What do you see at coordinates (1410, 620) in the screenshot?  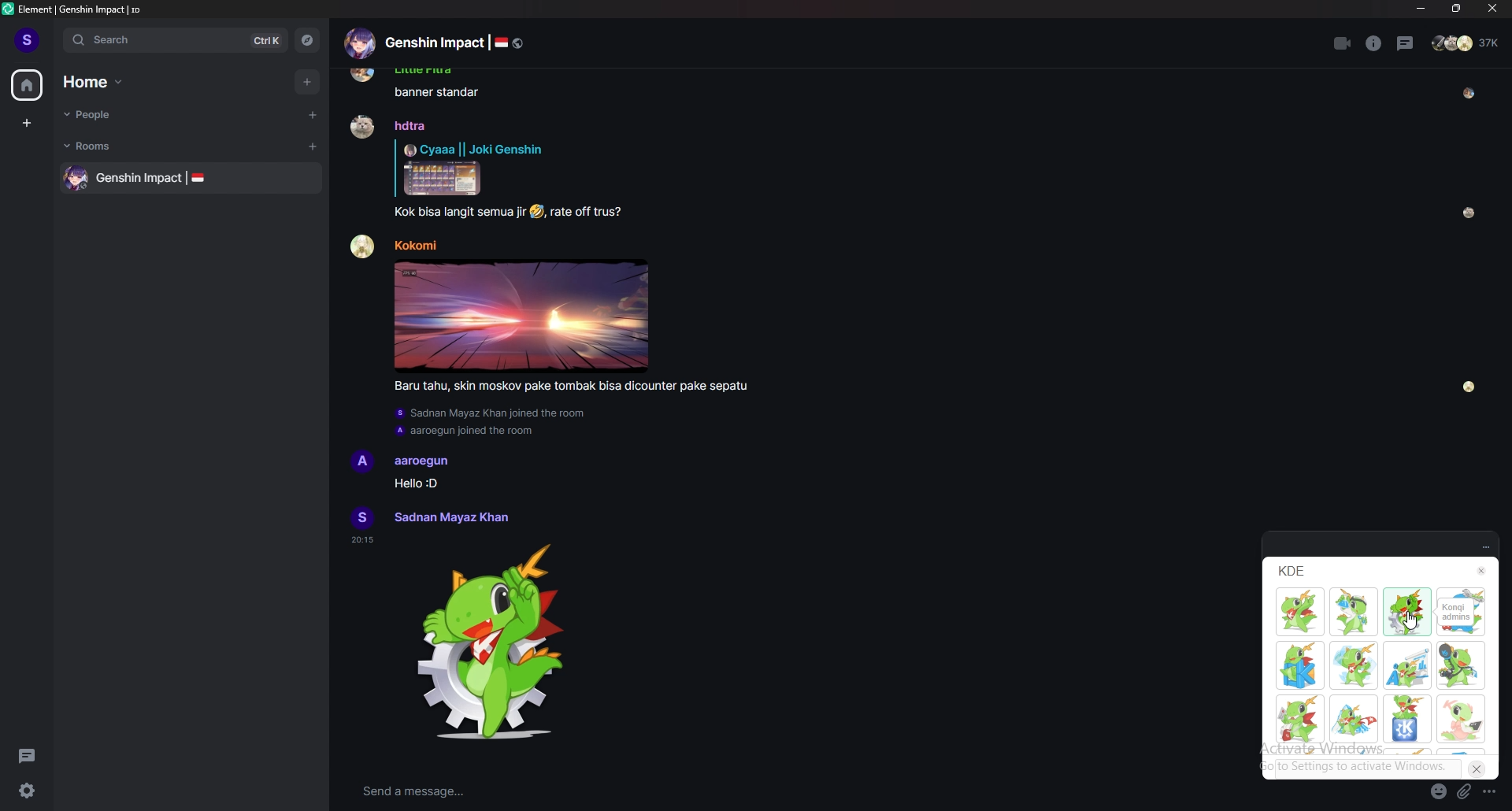 I see `Cursor` at bounding box center [1410, 620].